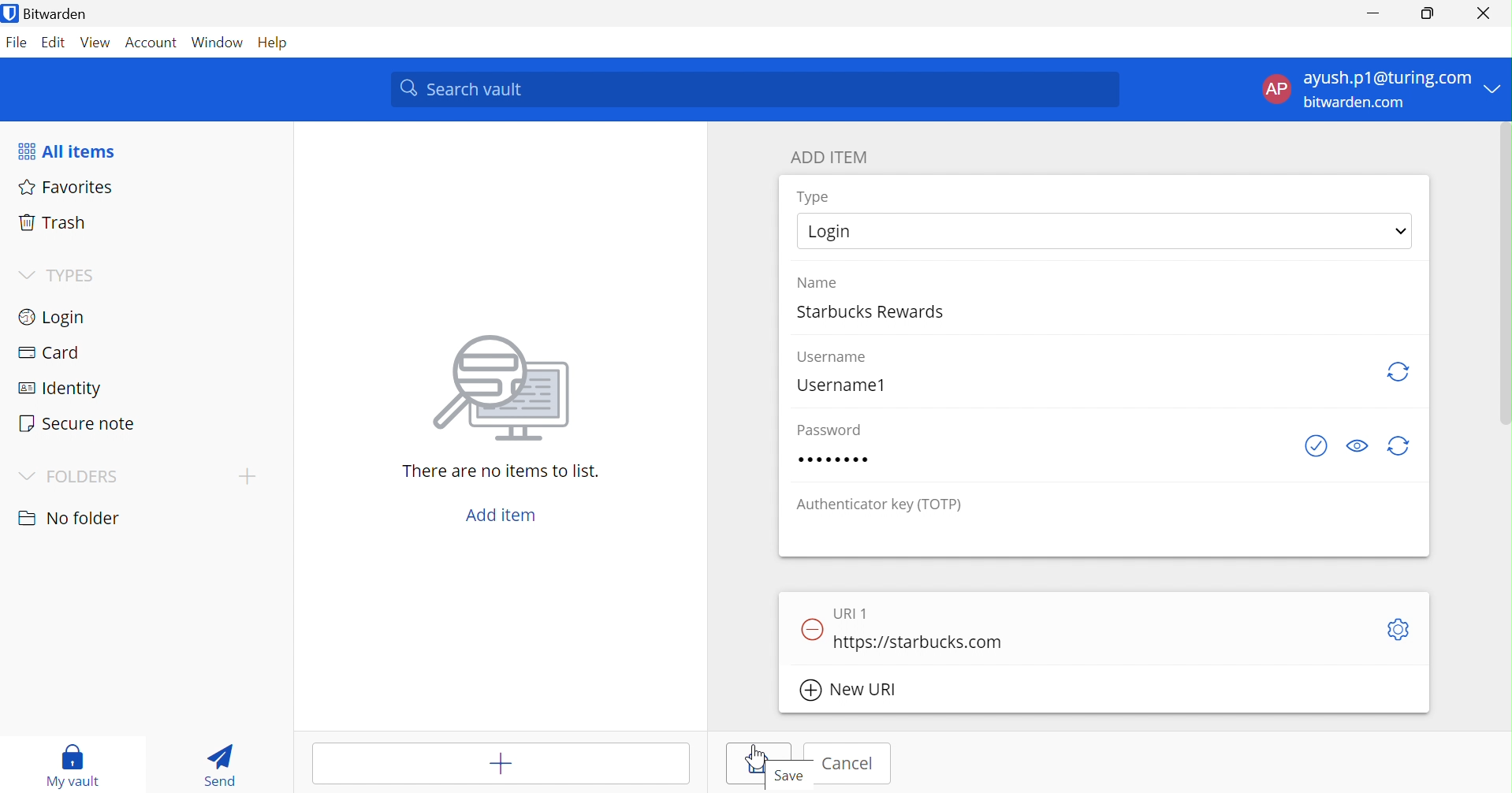  What do you see at coordinates (224, 764) in the screenshot?
I see `Send` at bounding box center [224, 764].